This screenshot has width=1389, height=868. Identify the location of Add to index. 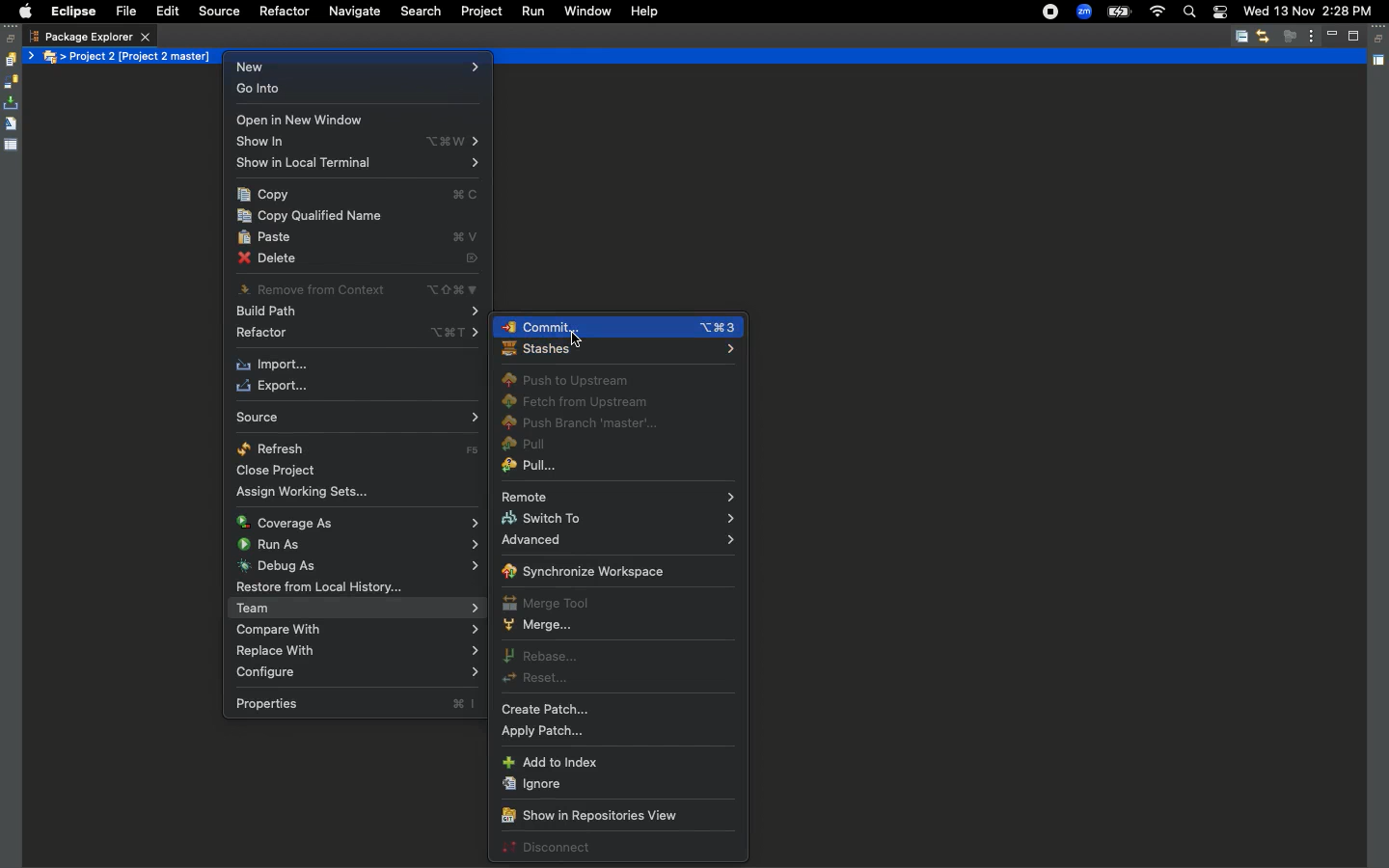
(553, 763).